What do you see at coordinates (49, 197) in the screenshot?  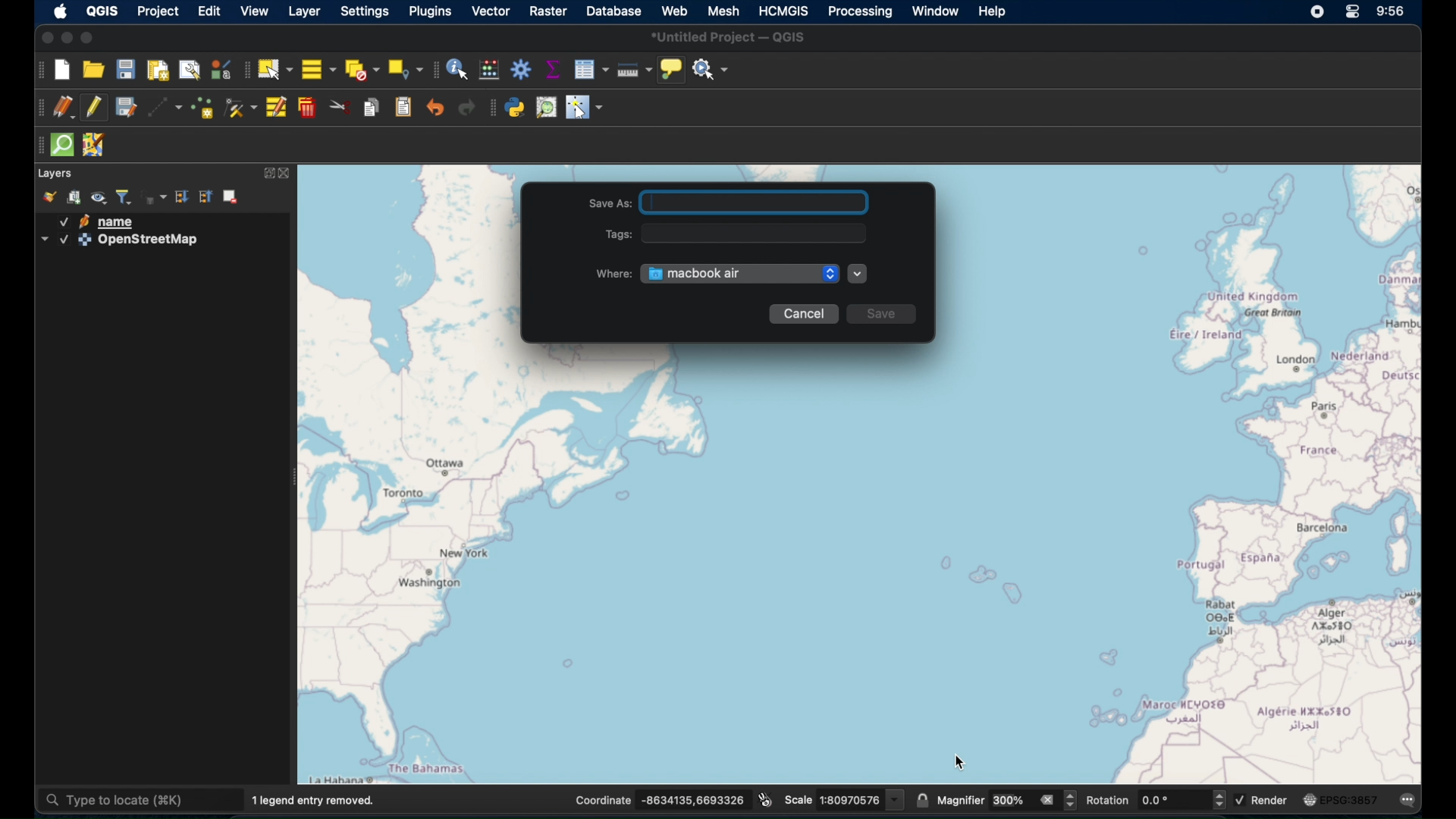 I see `open layer styling panel` at bounding box center [49, 197].